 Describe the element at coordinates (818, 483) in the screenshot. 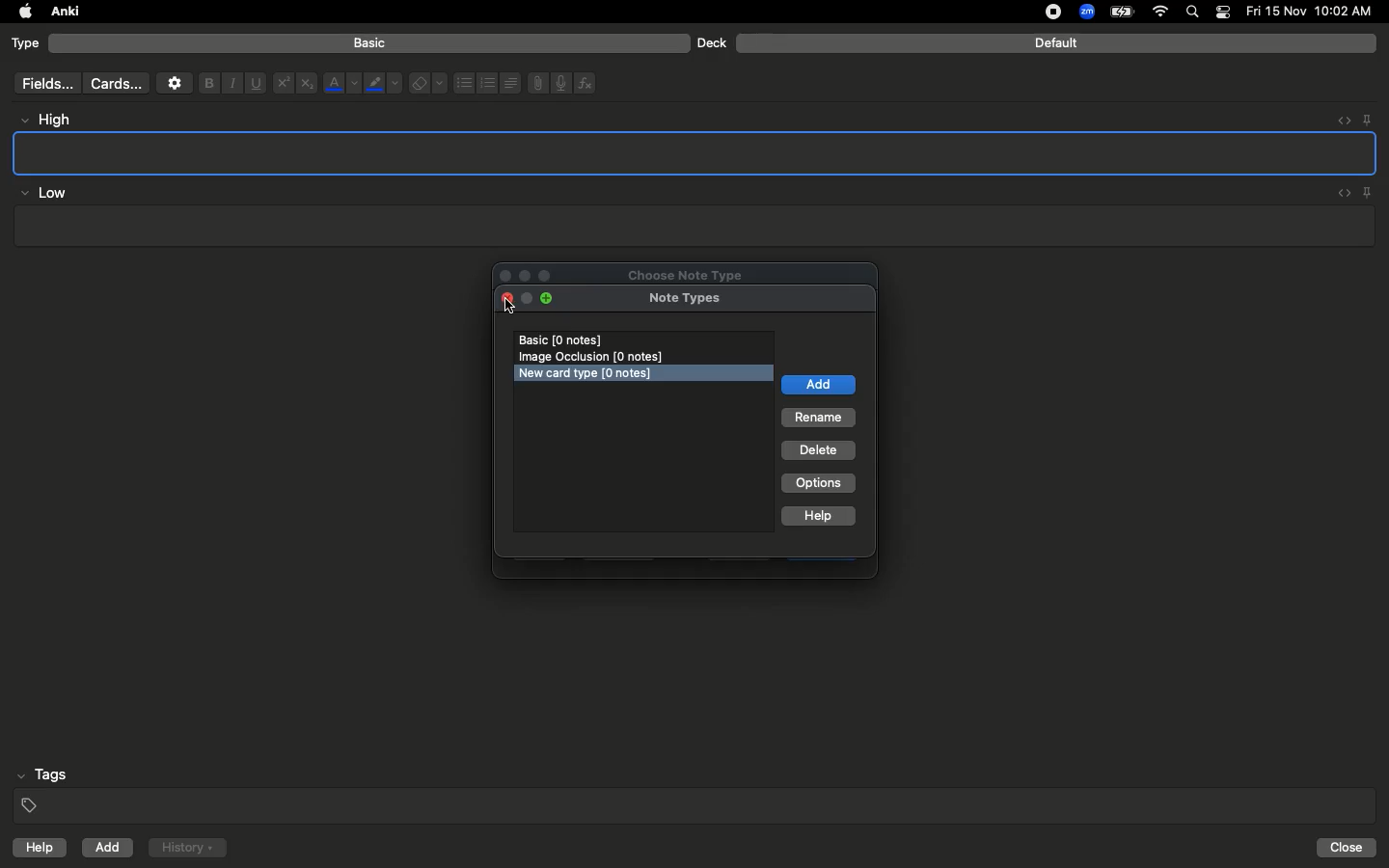

I see `Options` at that location.